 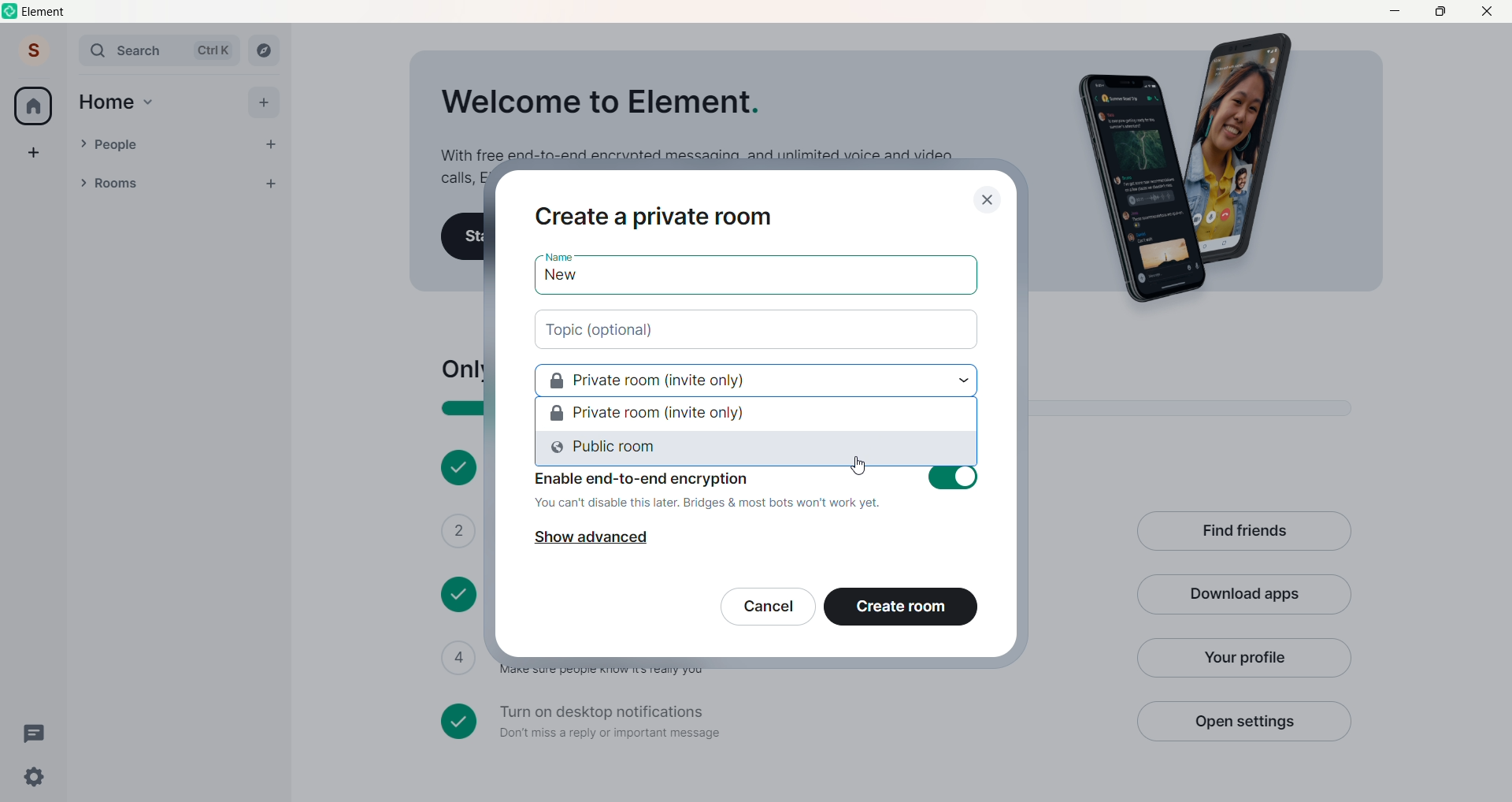 What do you see at coordinates (463, 237) in the screenshot?
I see `Start your first chat` at bounding box center [463, 237].